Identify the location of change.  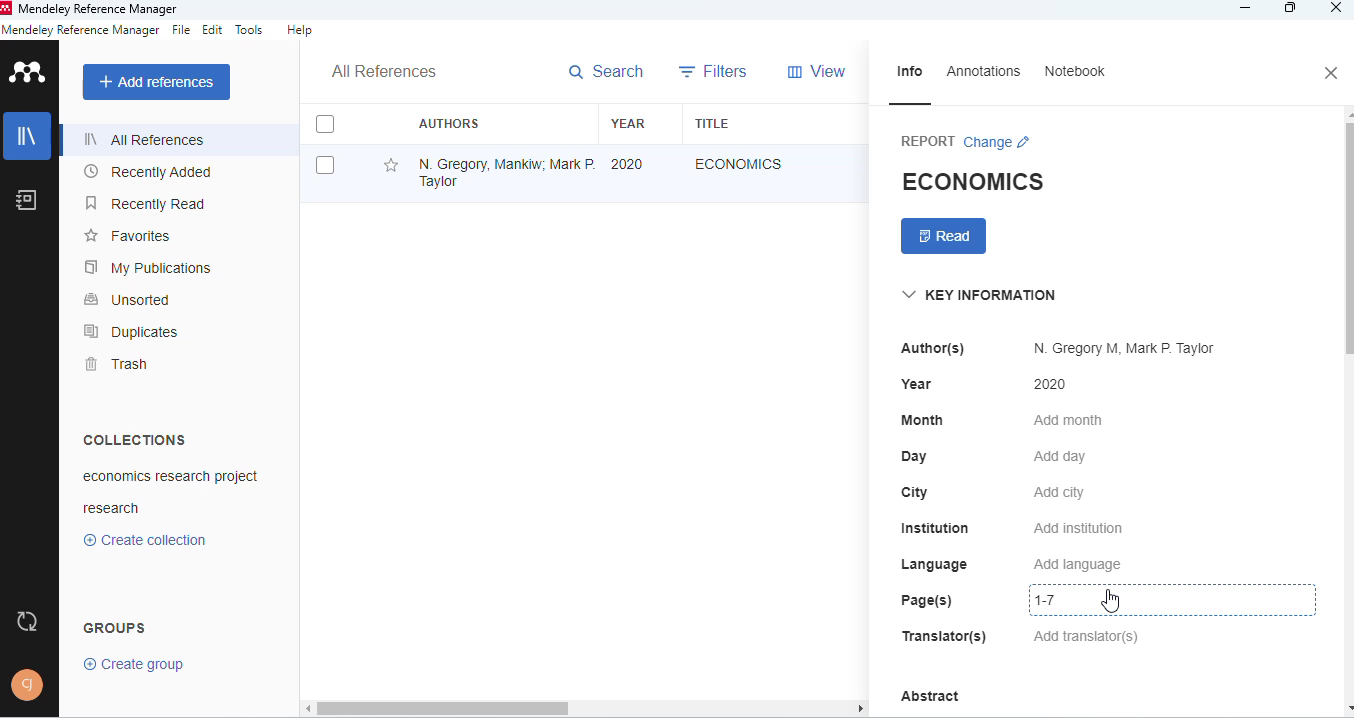
(998, 142).